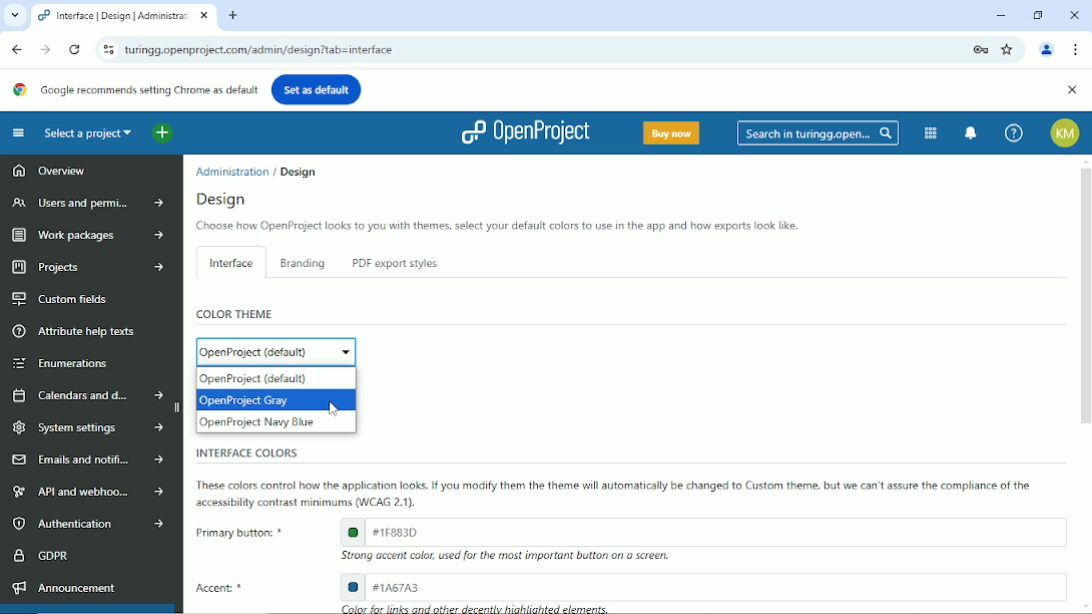 This screenshot has width=1092, height=614. I want to click on Buy now, so click(670, 132).